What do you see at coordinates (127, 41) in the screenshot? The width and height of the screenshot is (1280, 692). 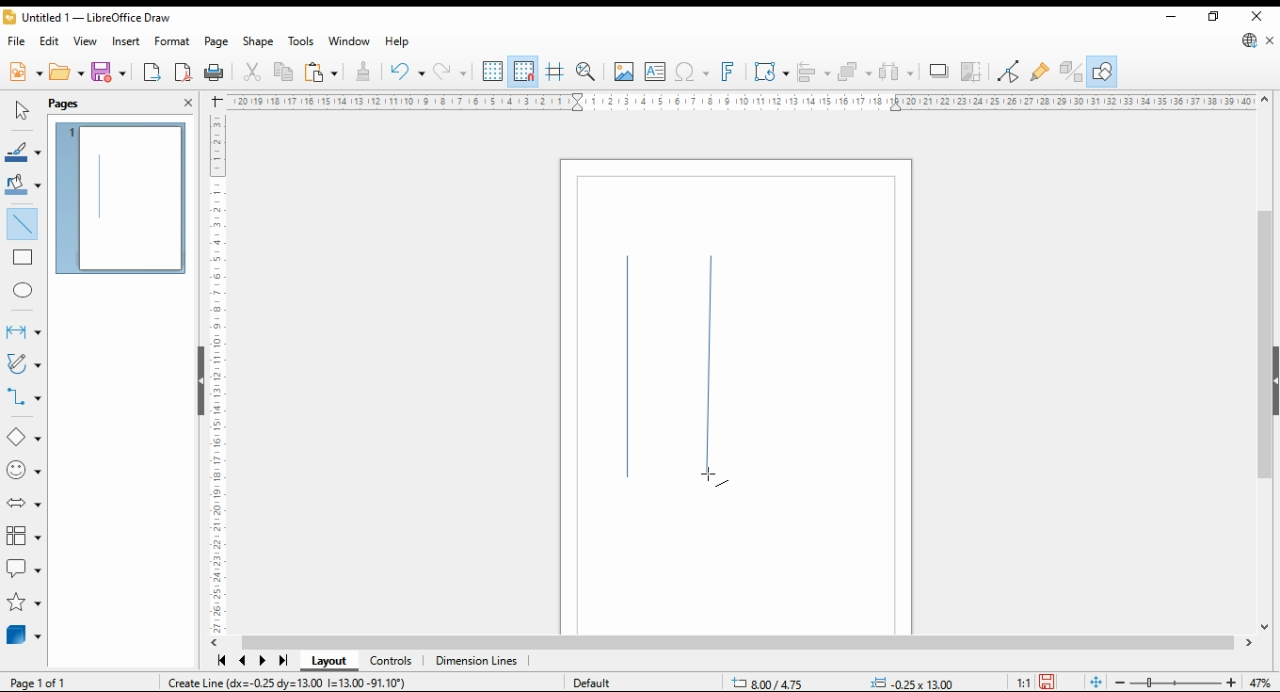 I see `insert` at bounding box center [127, 41].